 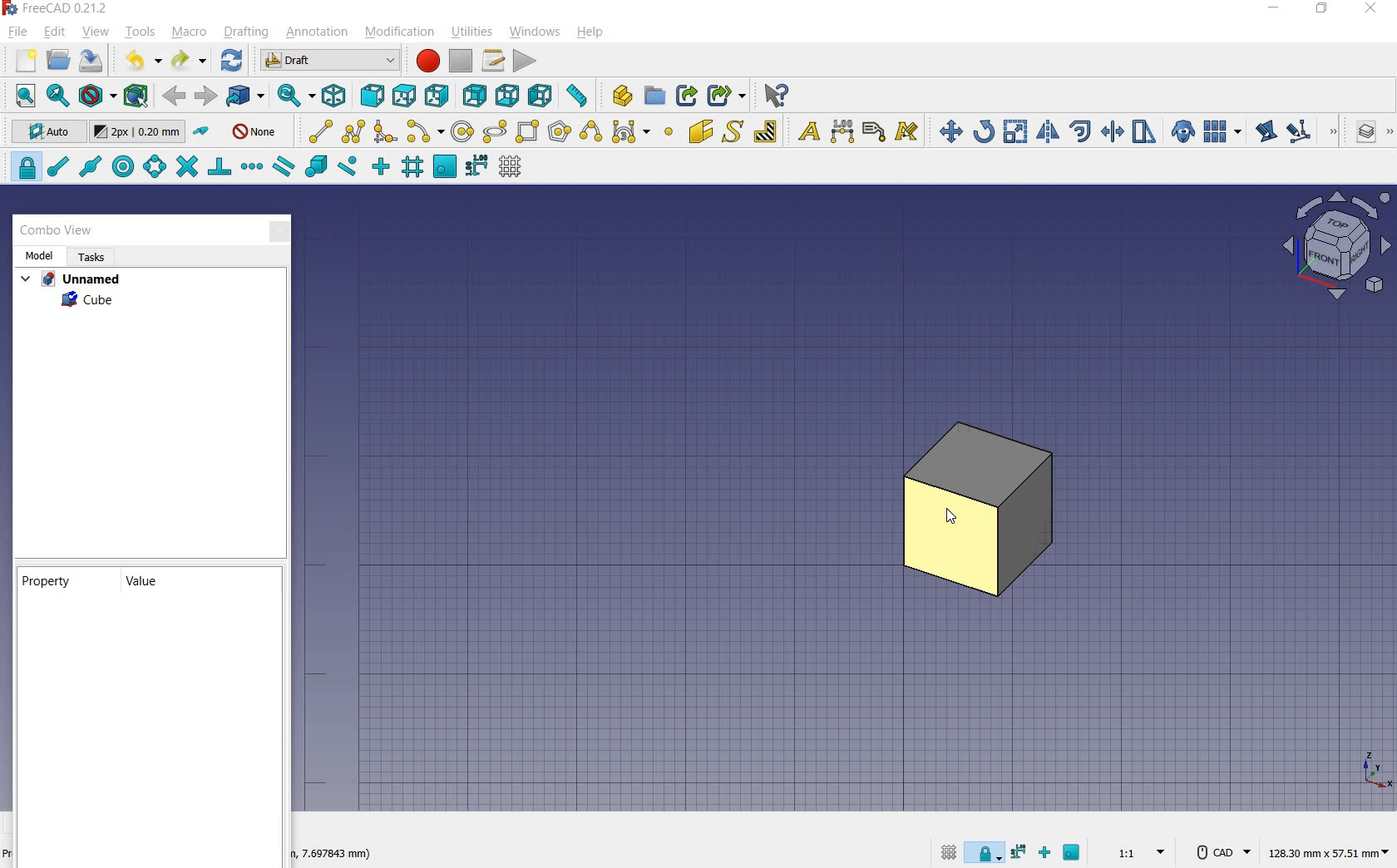 What do you see at coordinates (985, 131) in the screenshot?
I see `rotate` at bounding box center [985, 131].